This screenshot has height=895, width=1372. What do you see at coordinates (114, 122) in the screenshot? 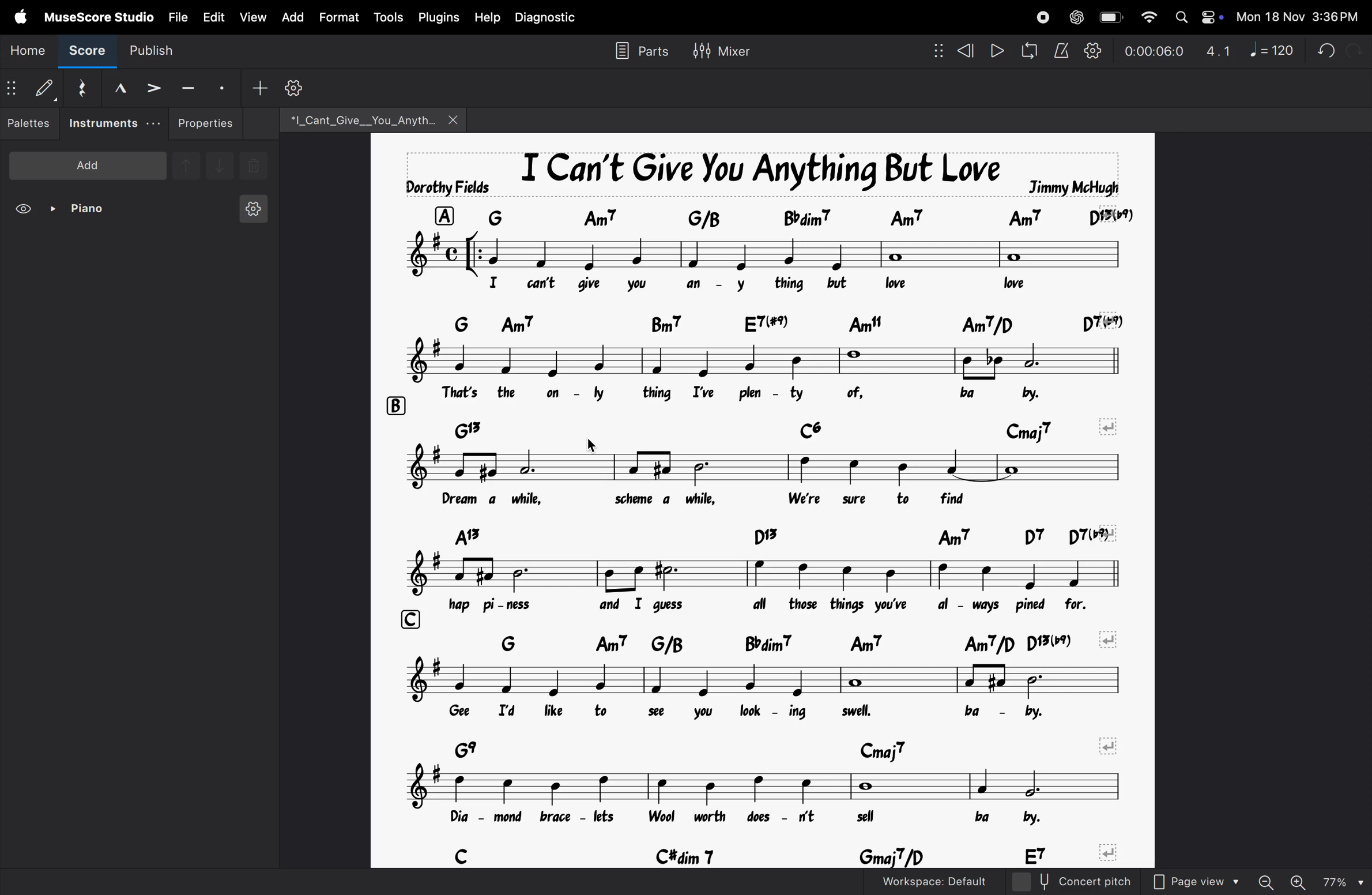
I see `instruments` at bounding box center [114, 122].